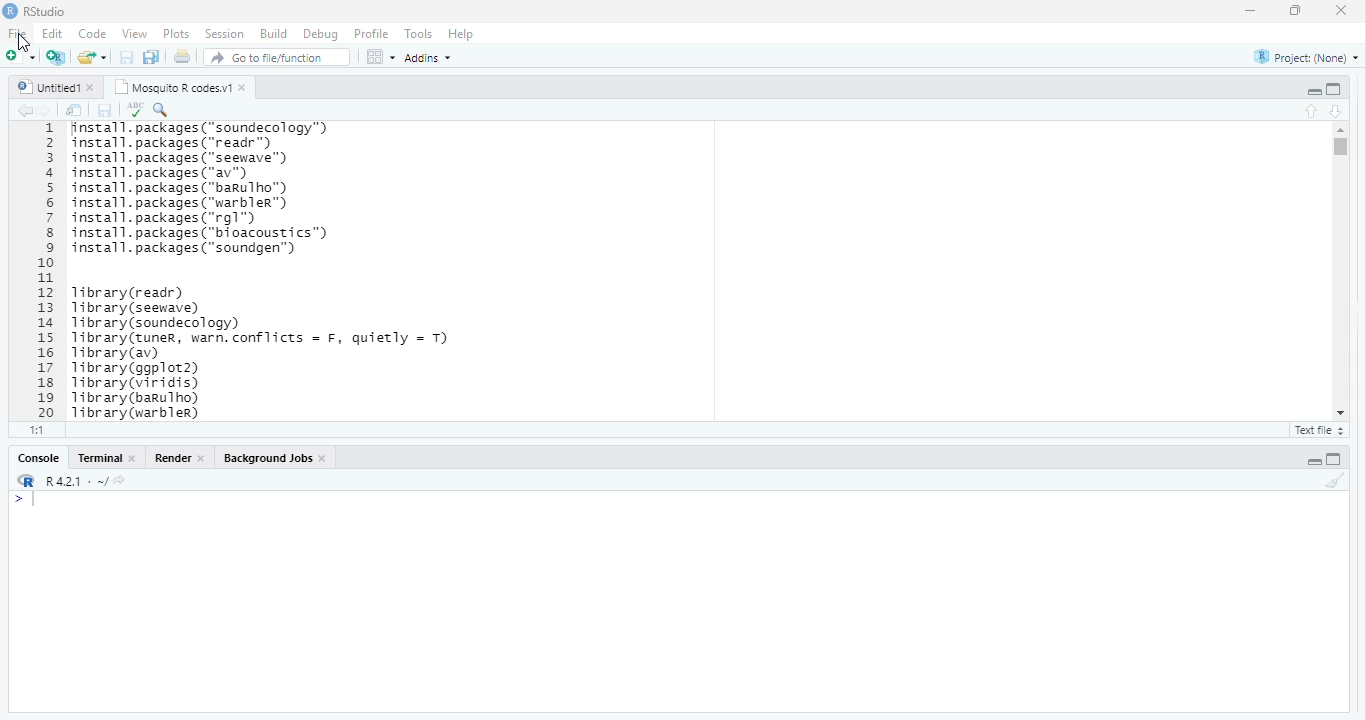 The height and width of the screenshot is (720, 1366). I want to click on Mosquito R codes.v1, so click(174, 87).